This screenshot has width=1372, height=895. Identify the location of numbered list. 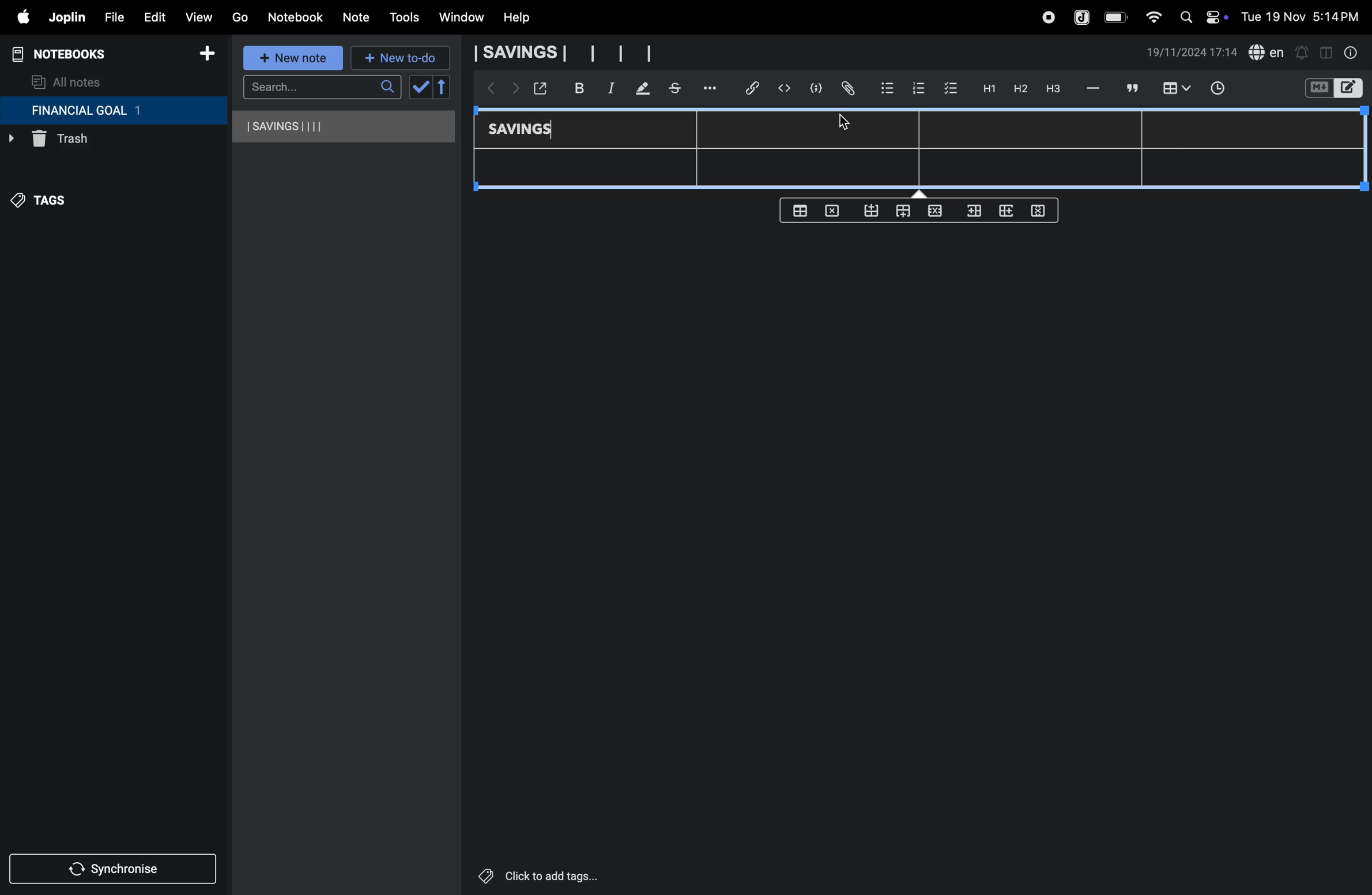
(918, 88).